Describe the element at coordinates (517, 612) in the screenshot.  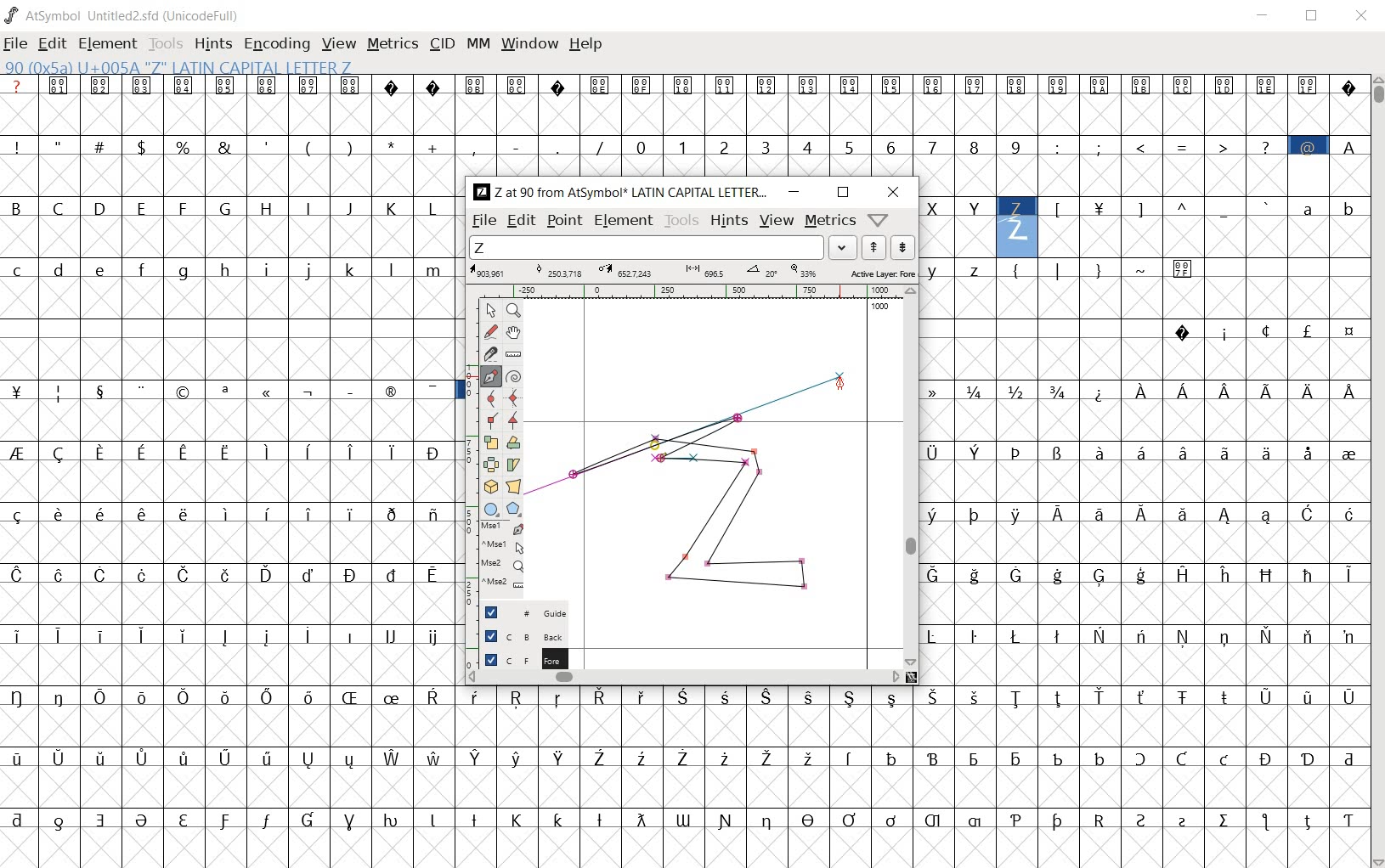
I see `Guide` at that location.